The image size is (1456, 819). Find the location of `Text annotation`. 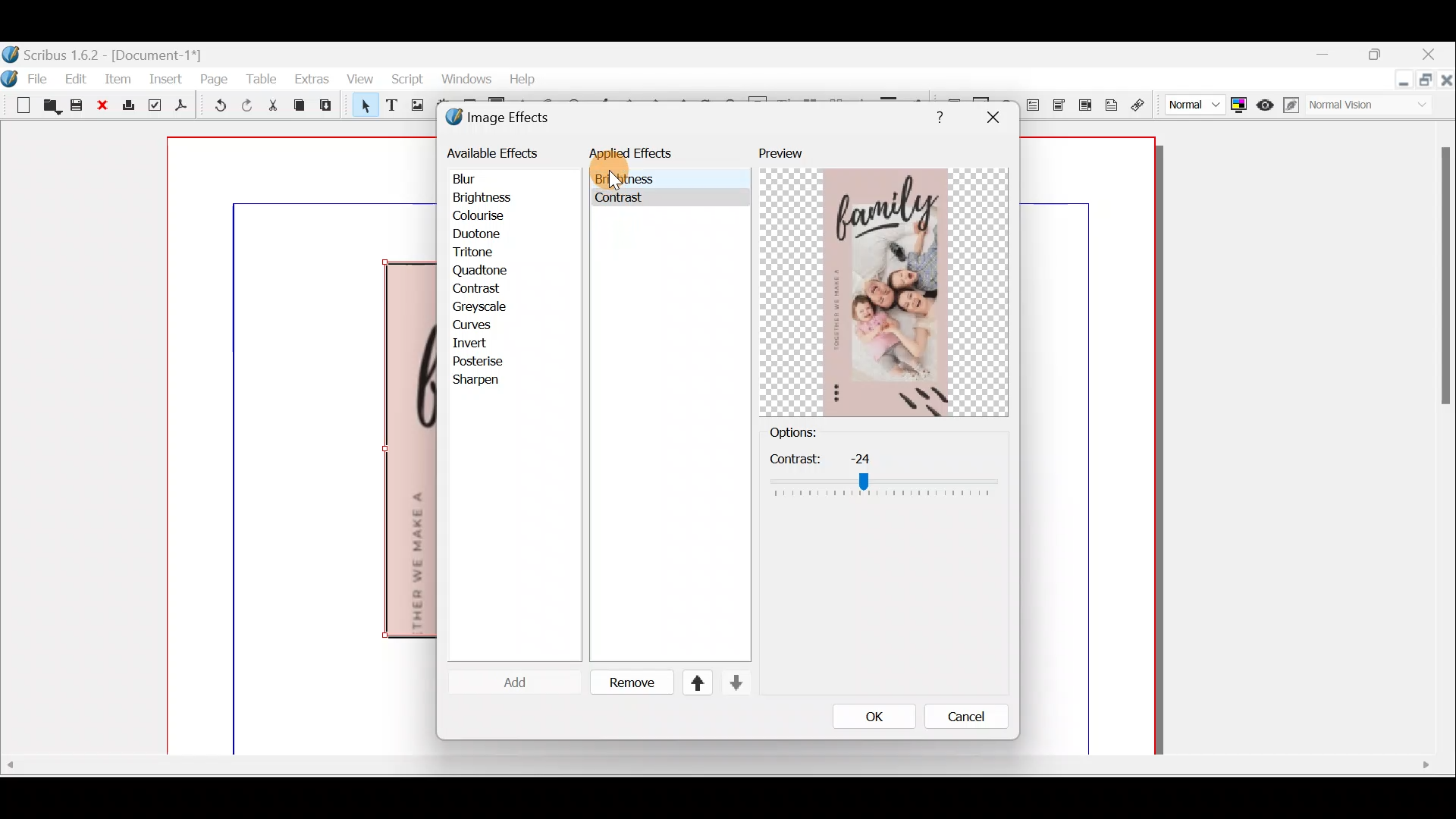

Text annotation is located at coordinates (1109, 103).